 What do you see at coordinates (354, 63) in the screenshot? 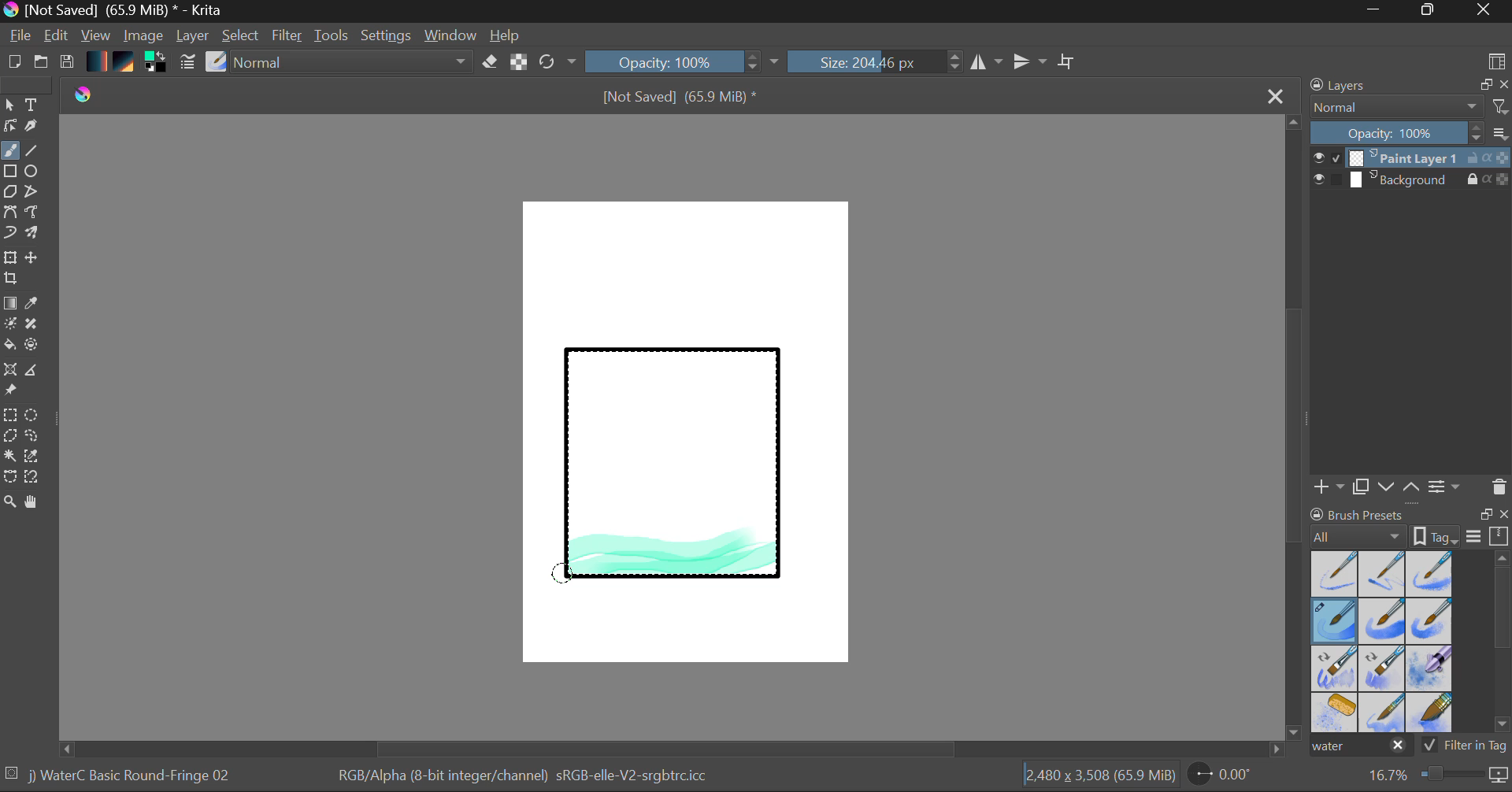
I see `Blending Tool` at bounding box center [354, 63].